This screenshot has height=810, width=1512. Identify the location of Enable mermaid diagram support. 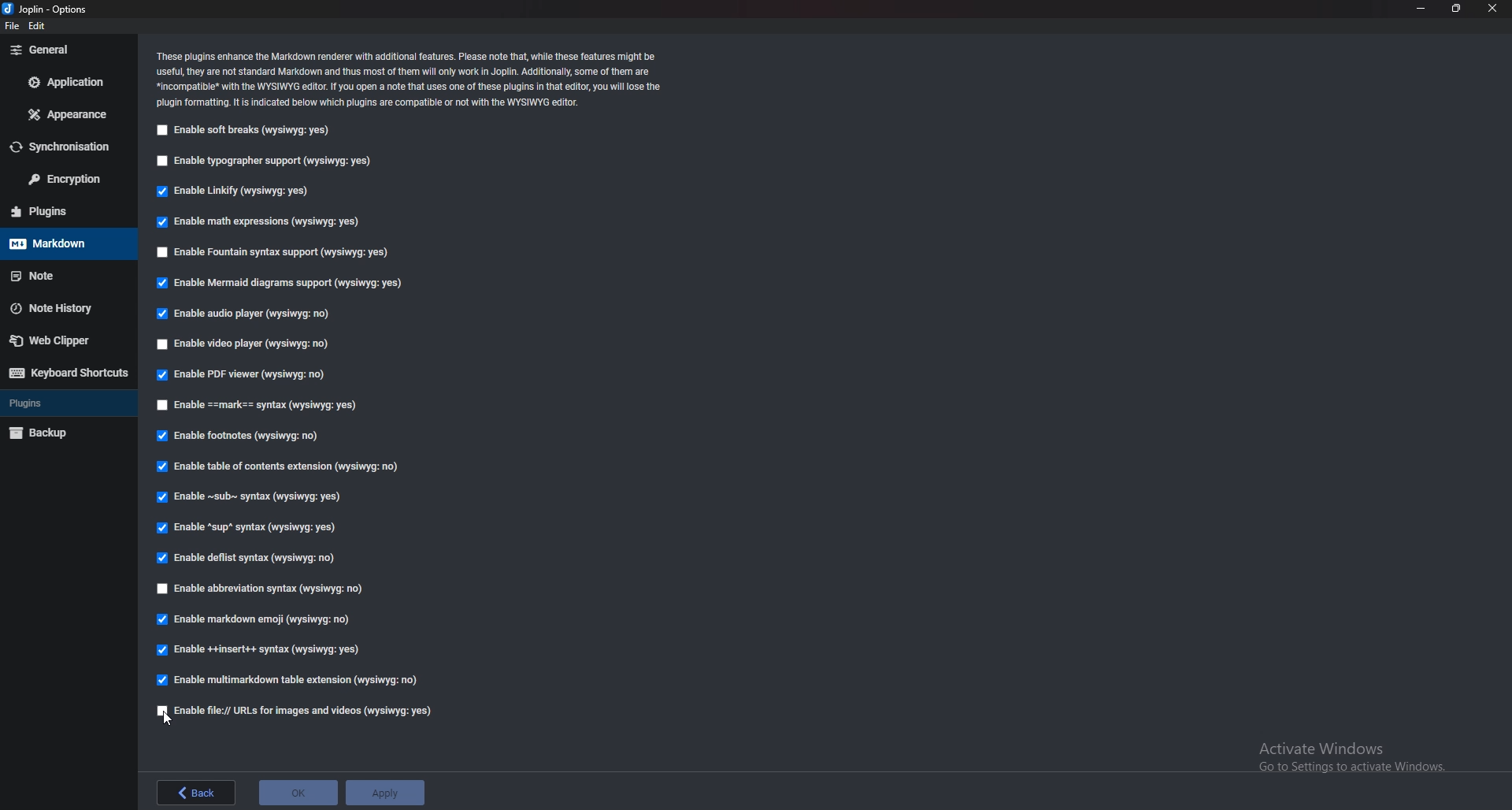
(280, 284).